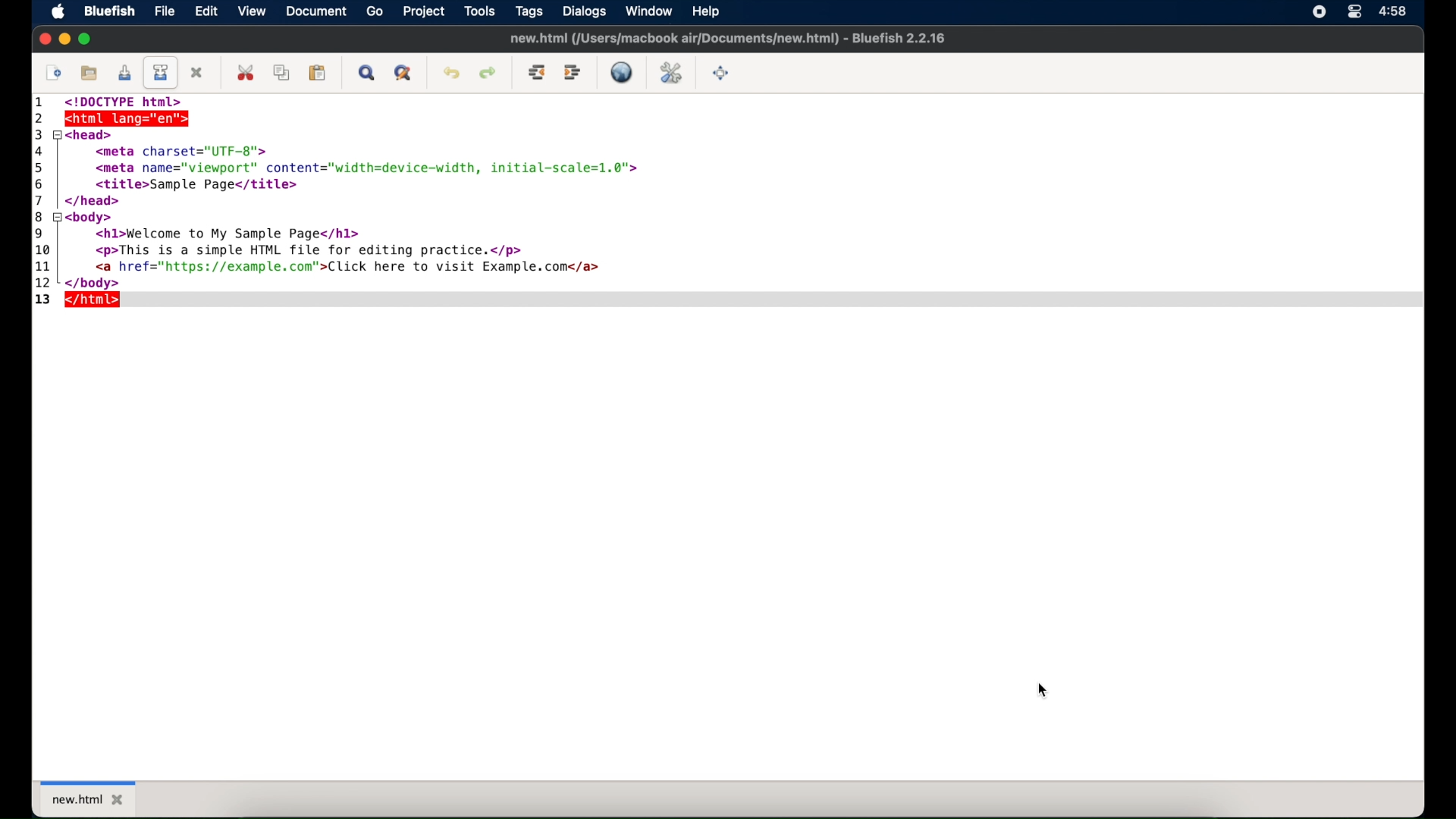 The image size is (1456, 819). Describe the element at coordinates (190, 185) in the screenshot. I see `<title>Sample Page</title>` at that location.